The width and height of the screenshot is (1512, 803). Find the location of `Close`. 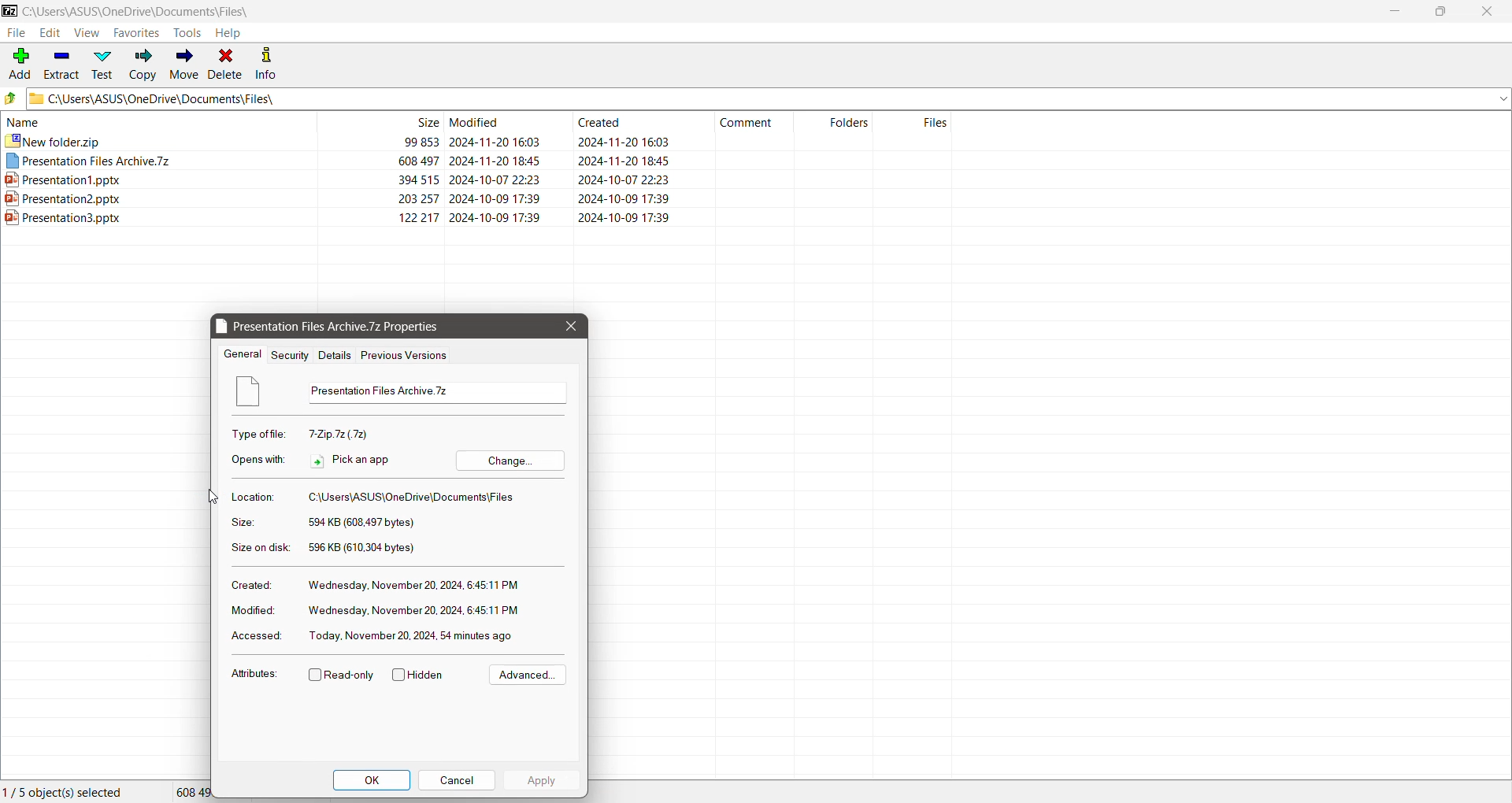

Close is located at coordinates (1487, 13).